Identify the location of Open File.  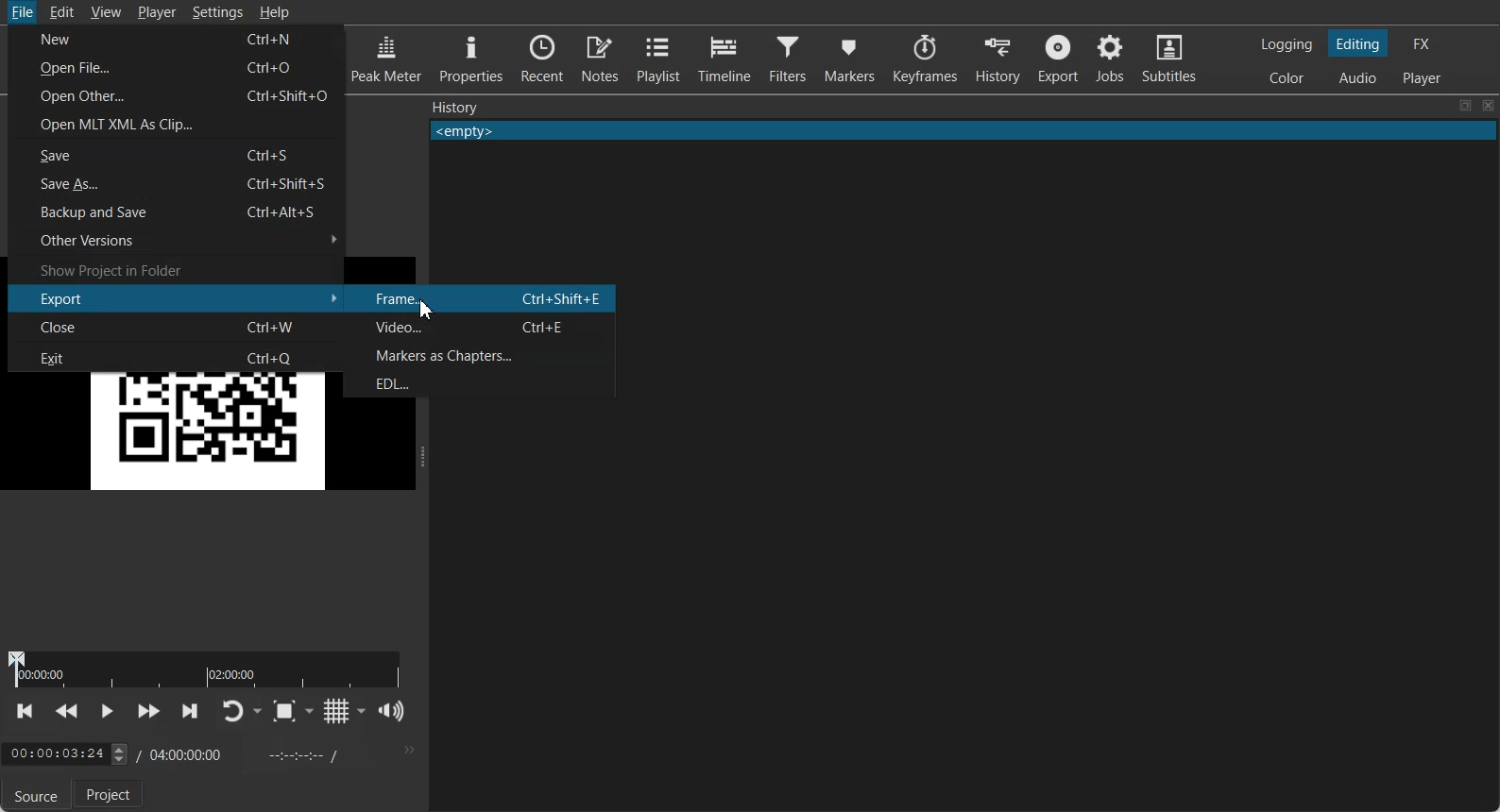
(88, 68).